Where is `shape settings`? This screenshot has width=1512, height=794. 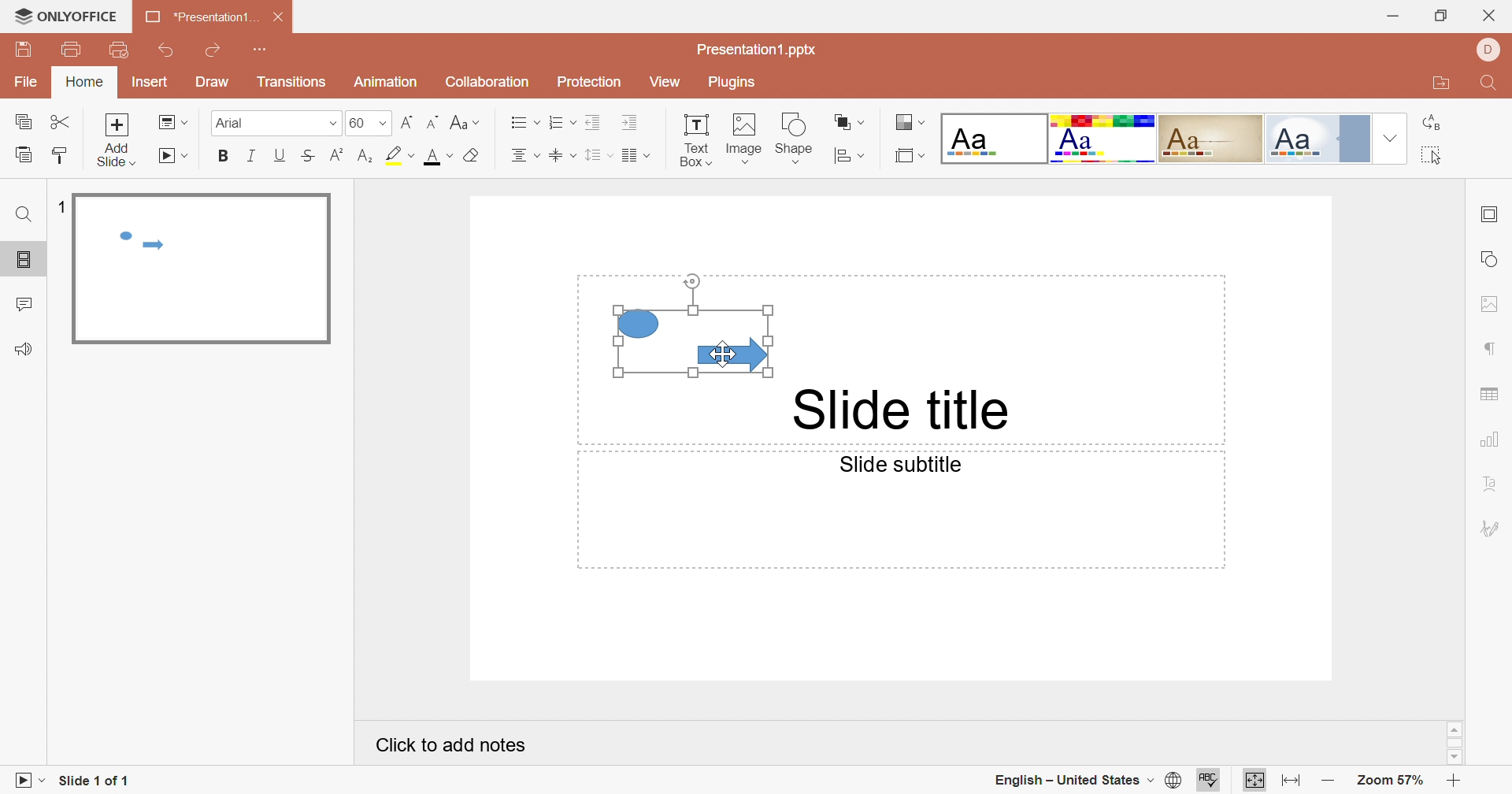
shape settings is located at coordinates (1488, 262).